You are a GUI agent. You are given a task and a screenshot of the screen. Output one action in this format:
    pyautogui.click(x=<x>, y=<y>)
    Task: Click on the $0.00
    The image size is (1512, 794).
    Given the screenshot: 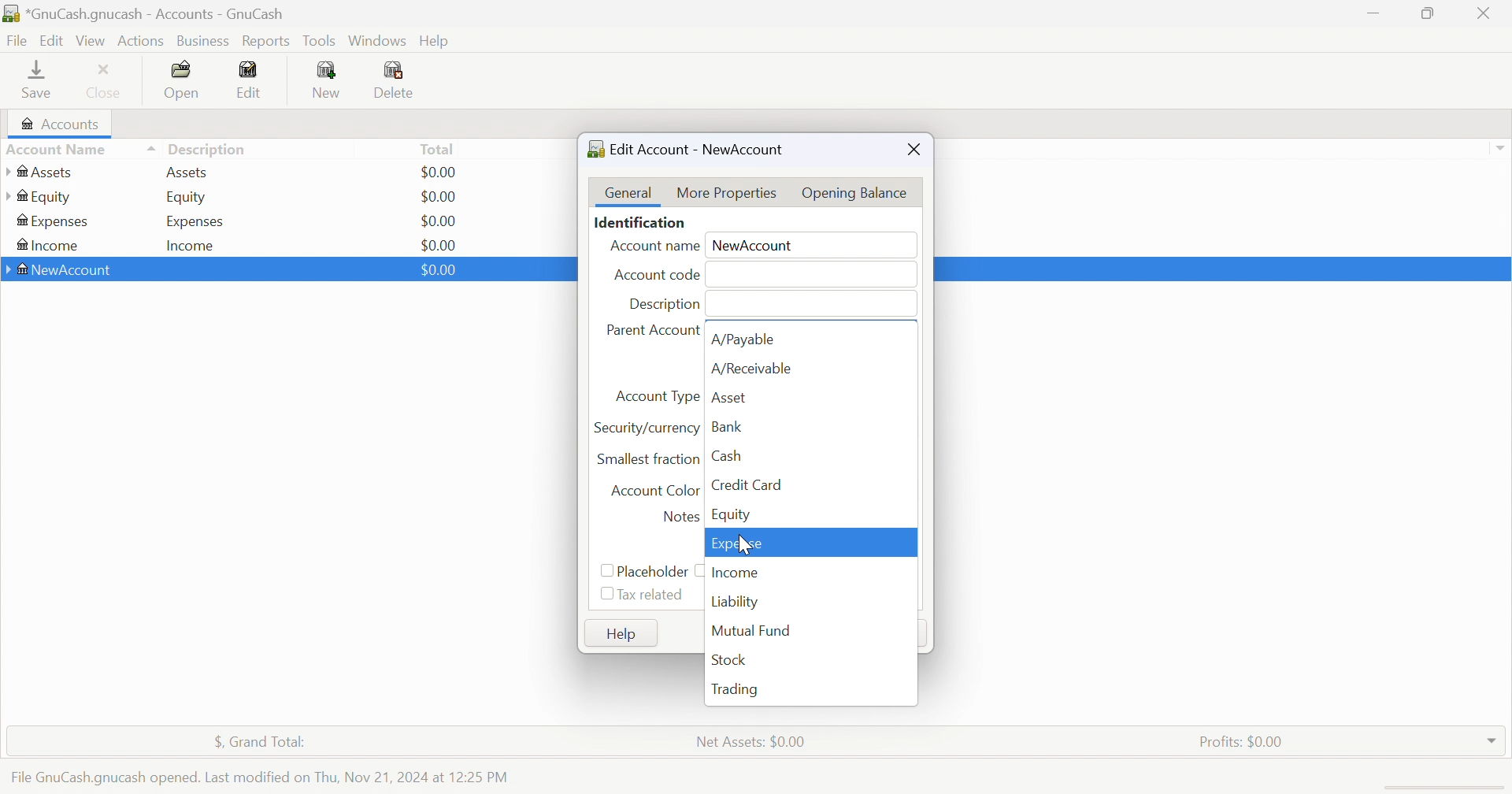 What is the action you would take?
    pyautogui.click(x=438, y=269)
    